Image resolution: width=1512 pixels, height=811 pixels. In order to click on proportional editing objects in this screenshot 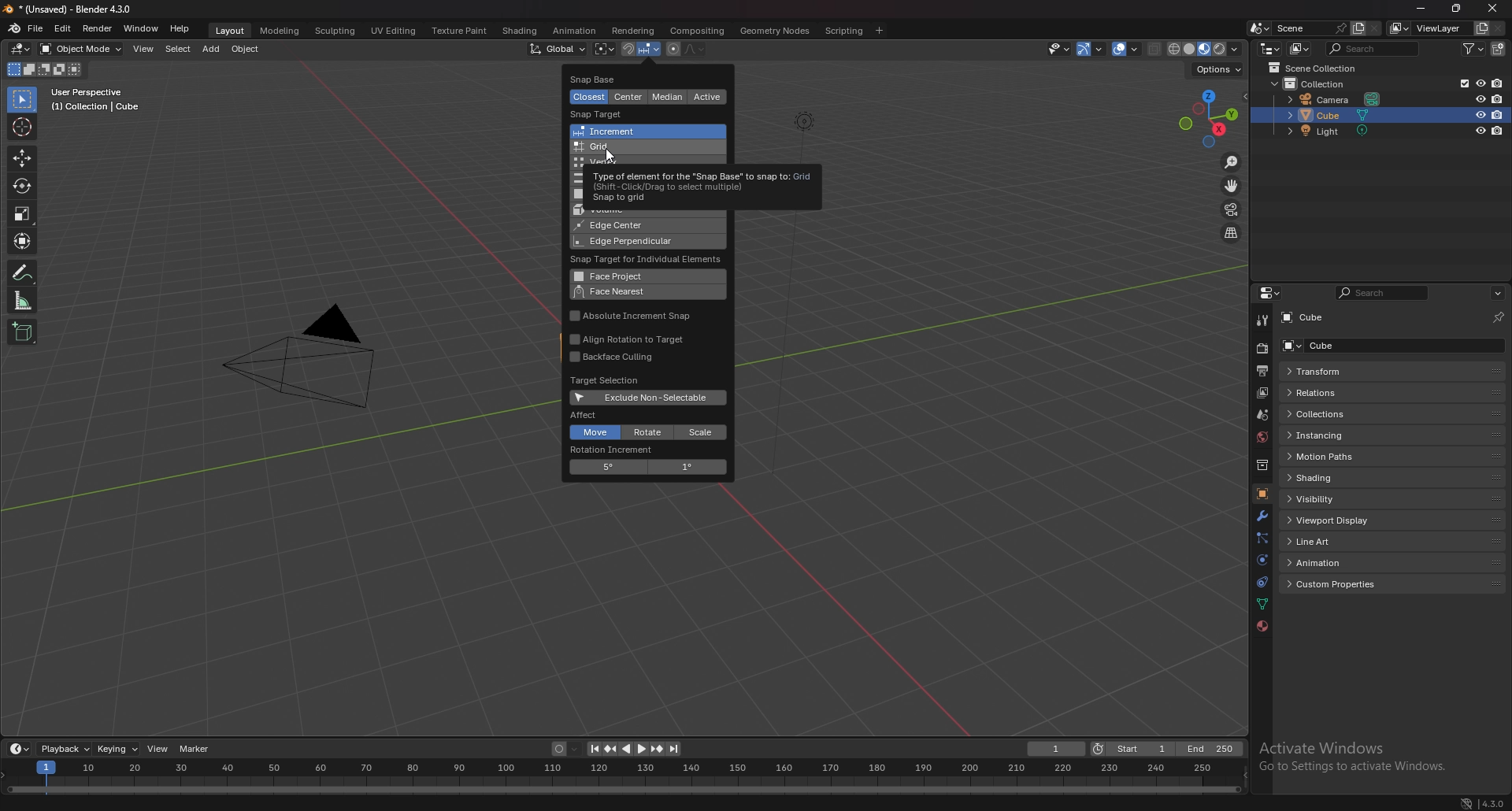, I will do `click(673, 50)`.